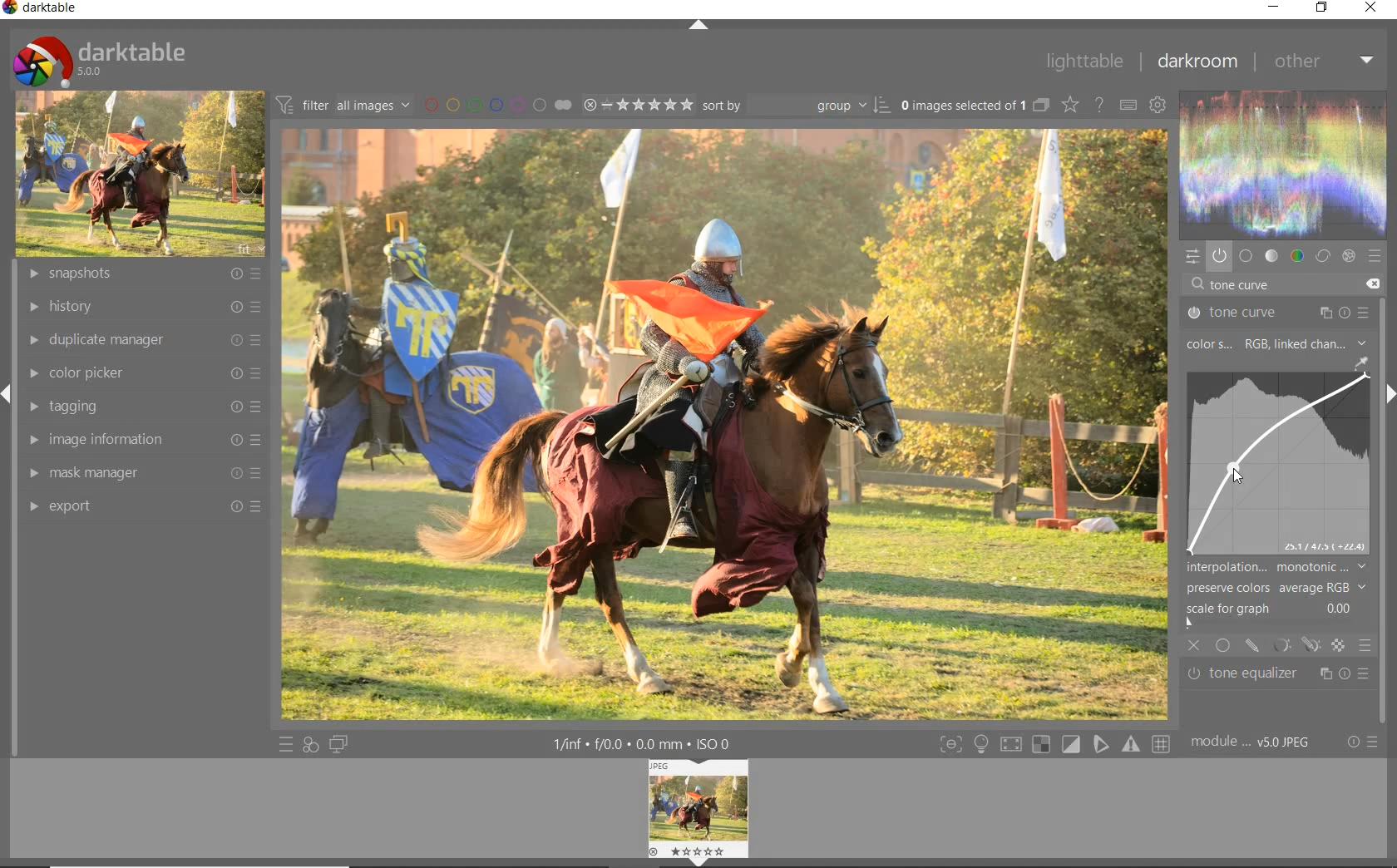  What do you see at coordinates (136, 175) in the screenshot?
I see `image` at bounding box center [136, 175].